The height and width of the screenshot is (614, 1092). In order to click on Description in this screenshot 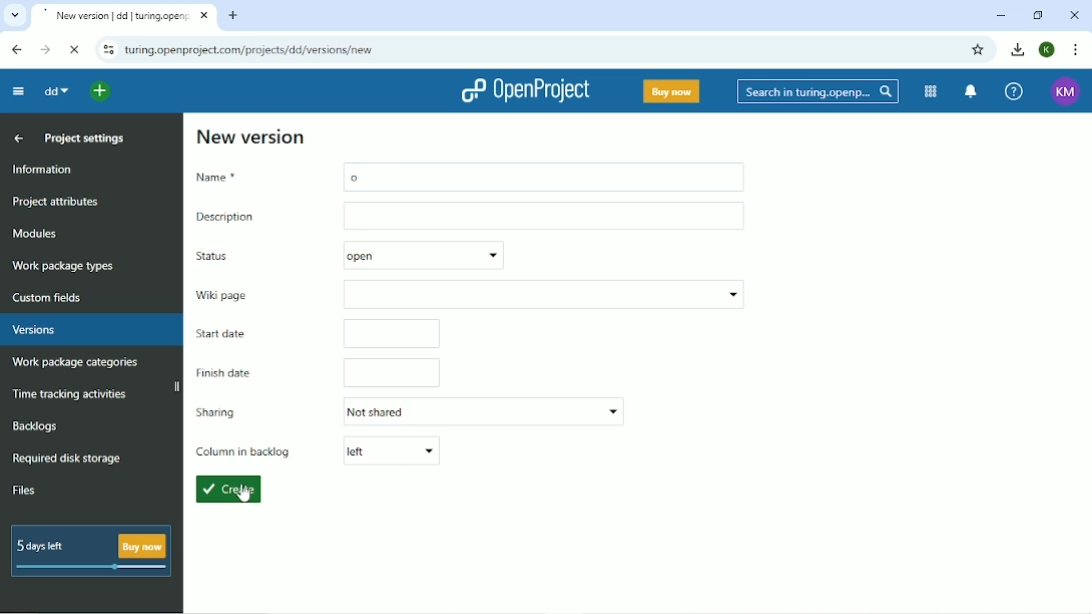, I will do `click(293, 216)`.